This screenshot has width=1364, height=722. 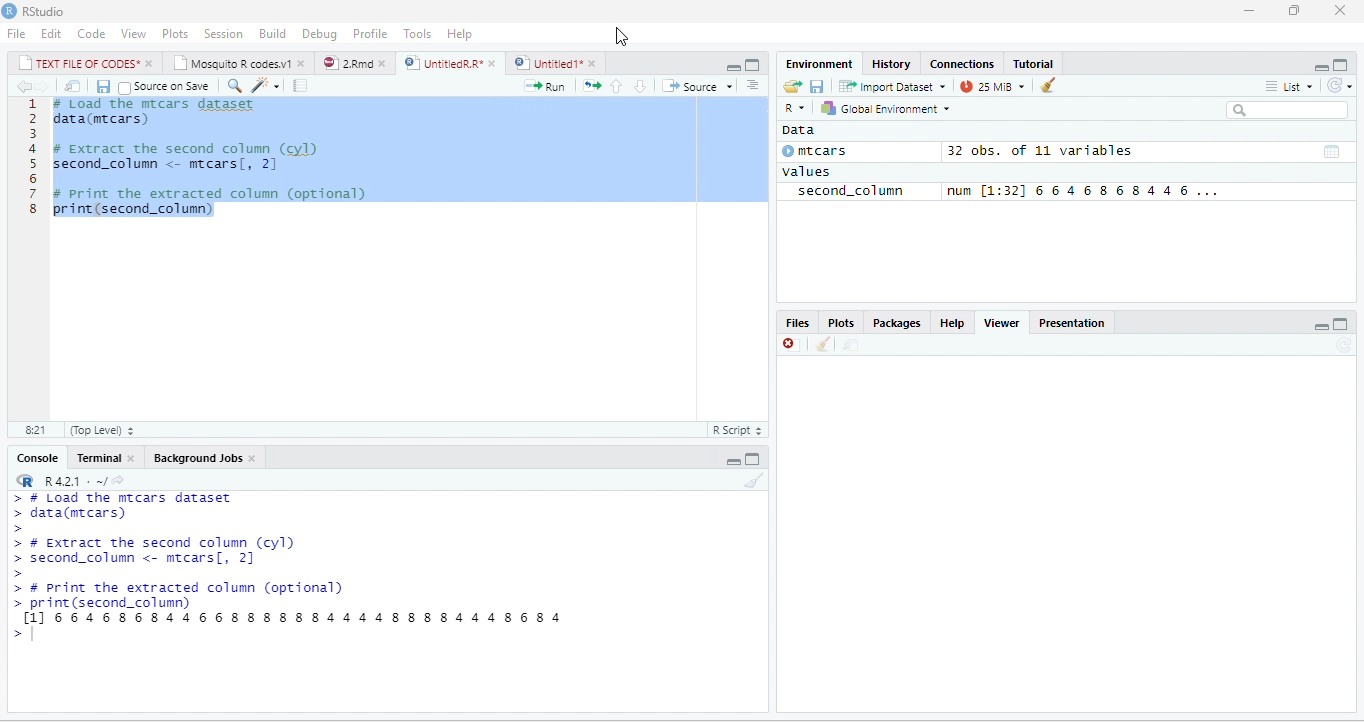 What do you see at coordinates (817, 64) in the screenshot?
I see `‘Environment` at bounding box center [817, 64].